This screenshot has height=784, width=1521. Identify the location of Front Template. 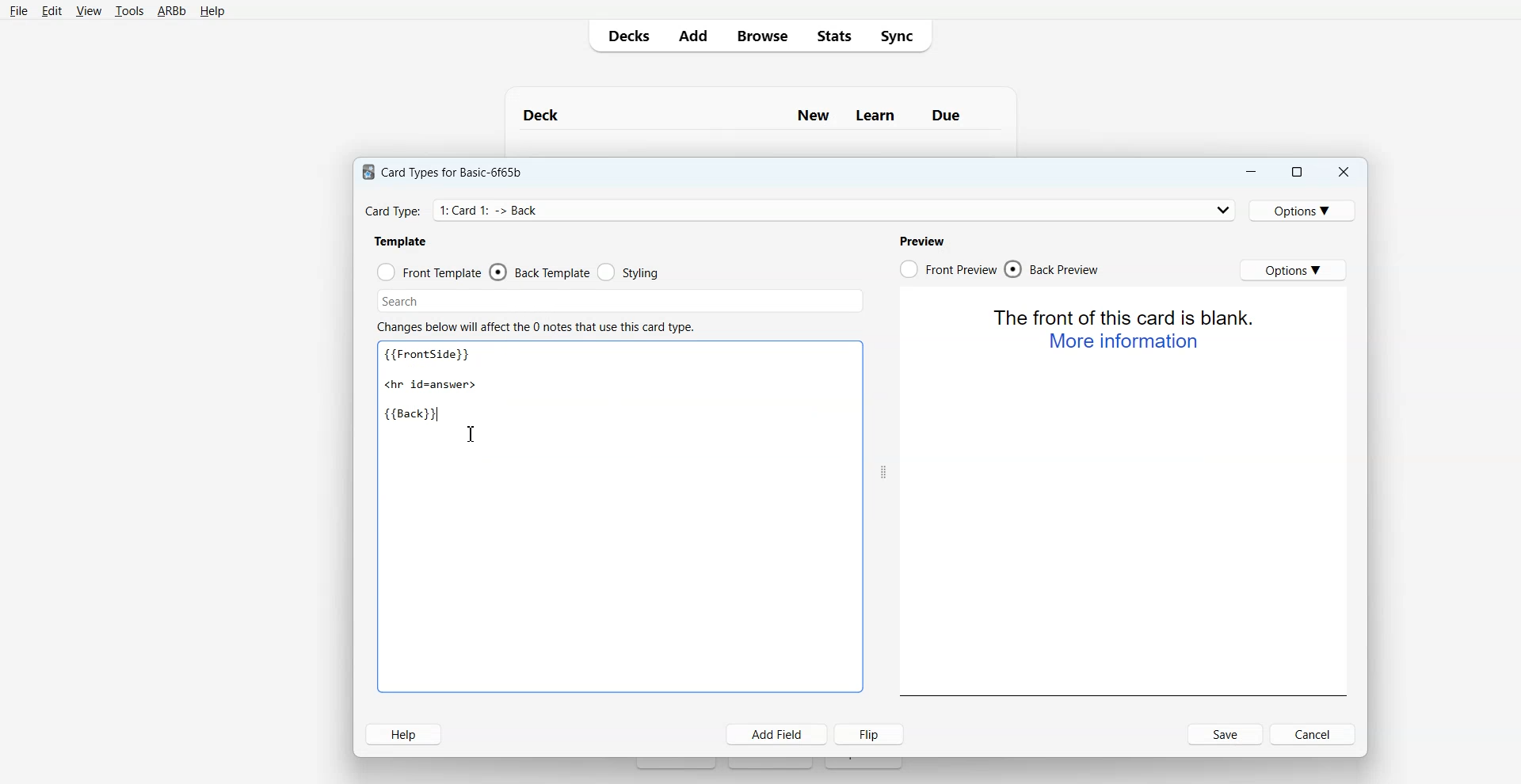
(429, 271).